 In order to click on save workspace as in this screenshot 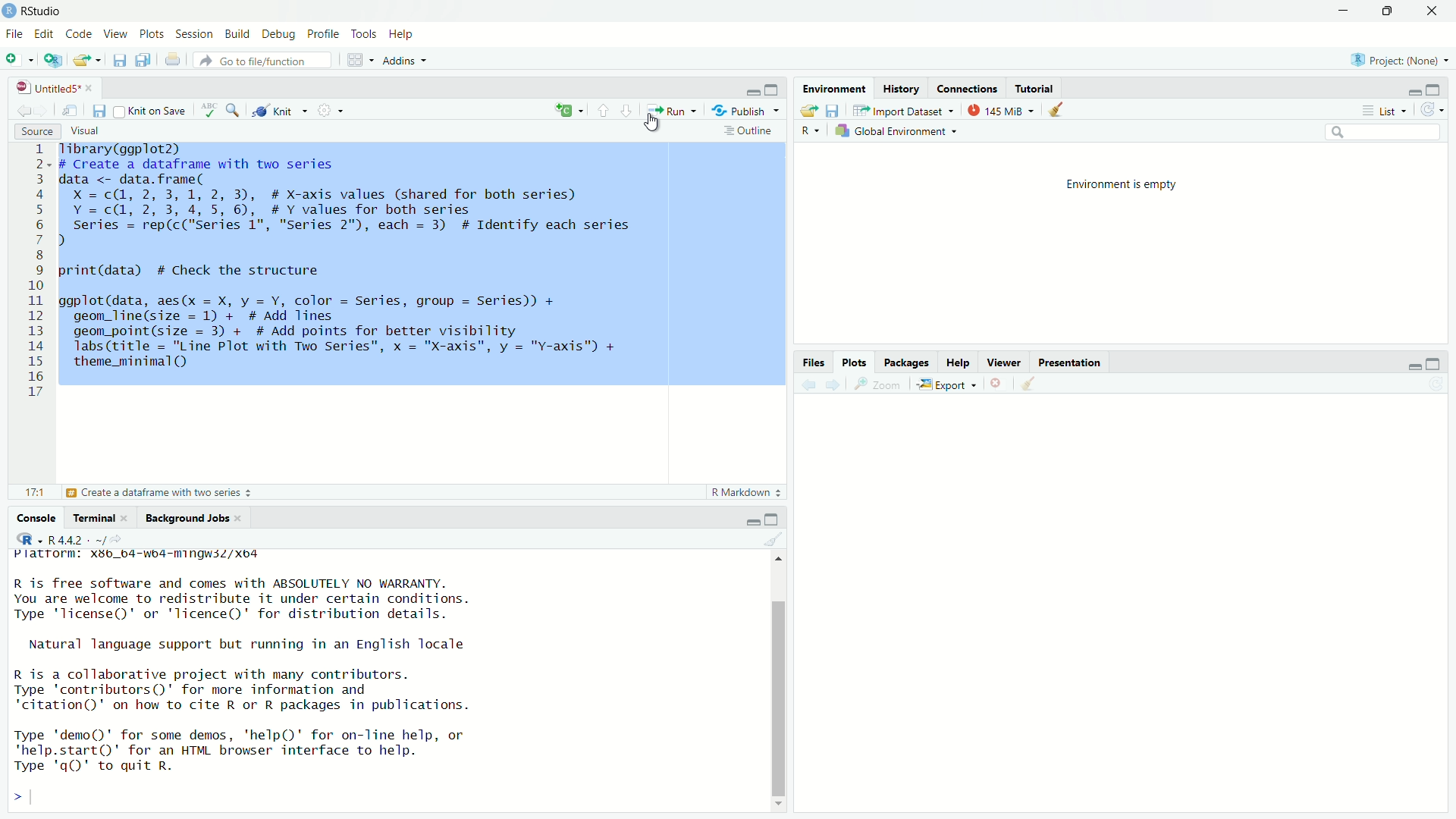, I will do `click(833, 111)`.